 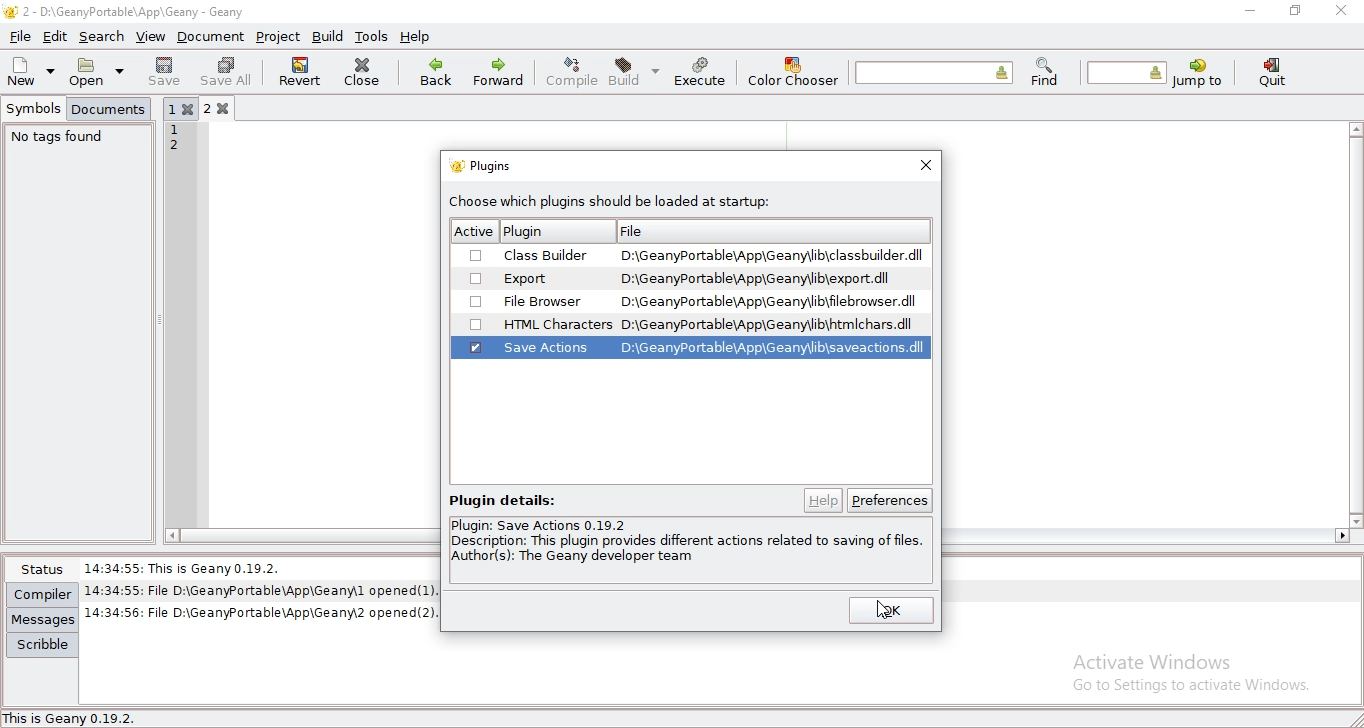 I want to click on tools, so click(x=372, y=36).